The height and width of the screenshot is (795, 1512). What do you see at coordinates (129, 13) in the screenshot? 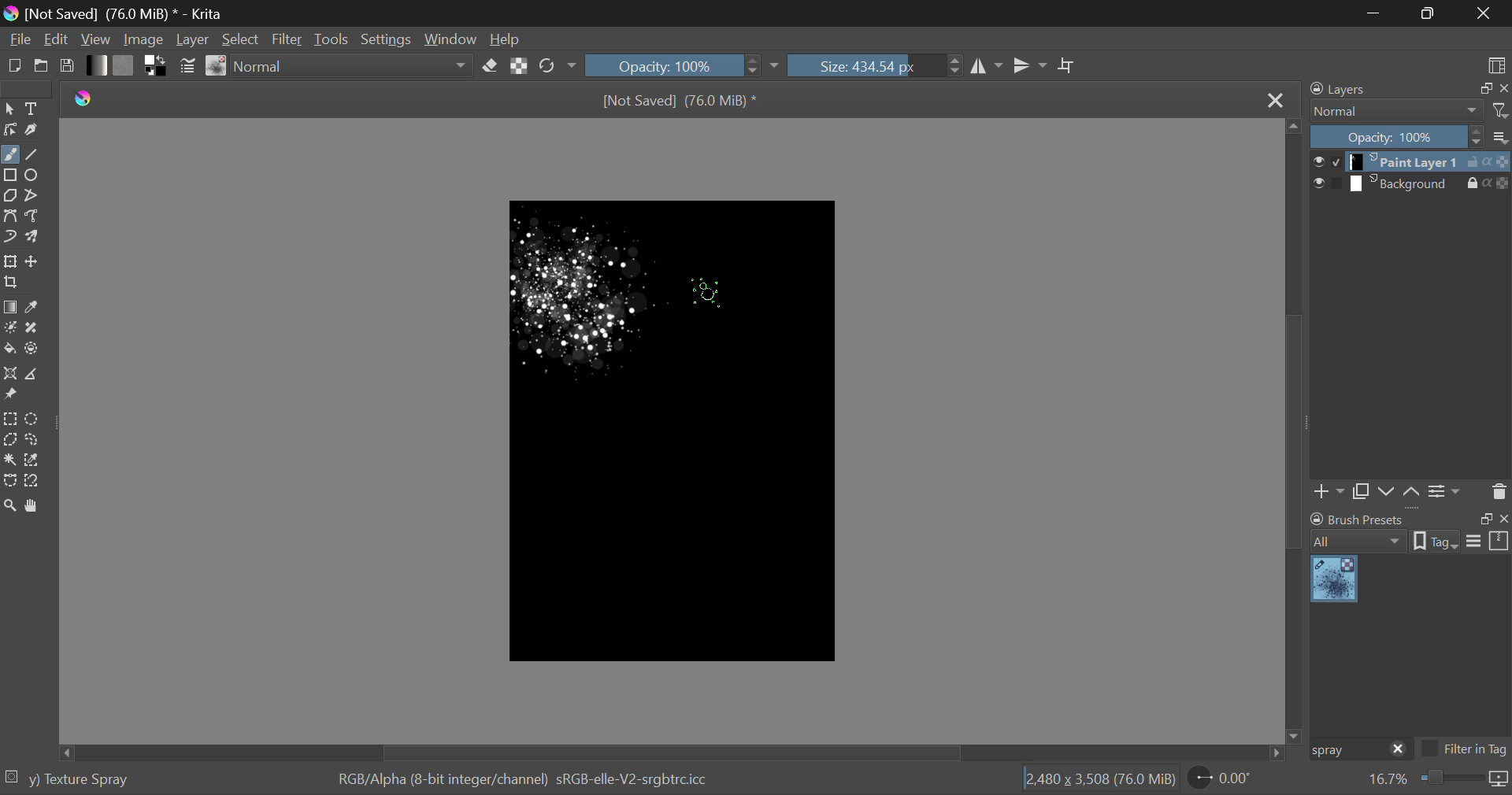
I see `[Not Saved] (69.2 MiB) * - Krita` at bounding box center [129, 13].